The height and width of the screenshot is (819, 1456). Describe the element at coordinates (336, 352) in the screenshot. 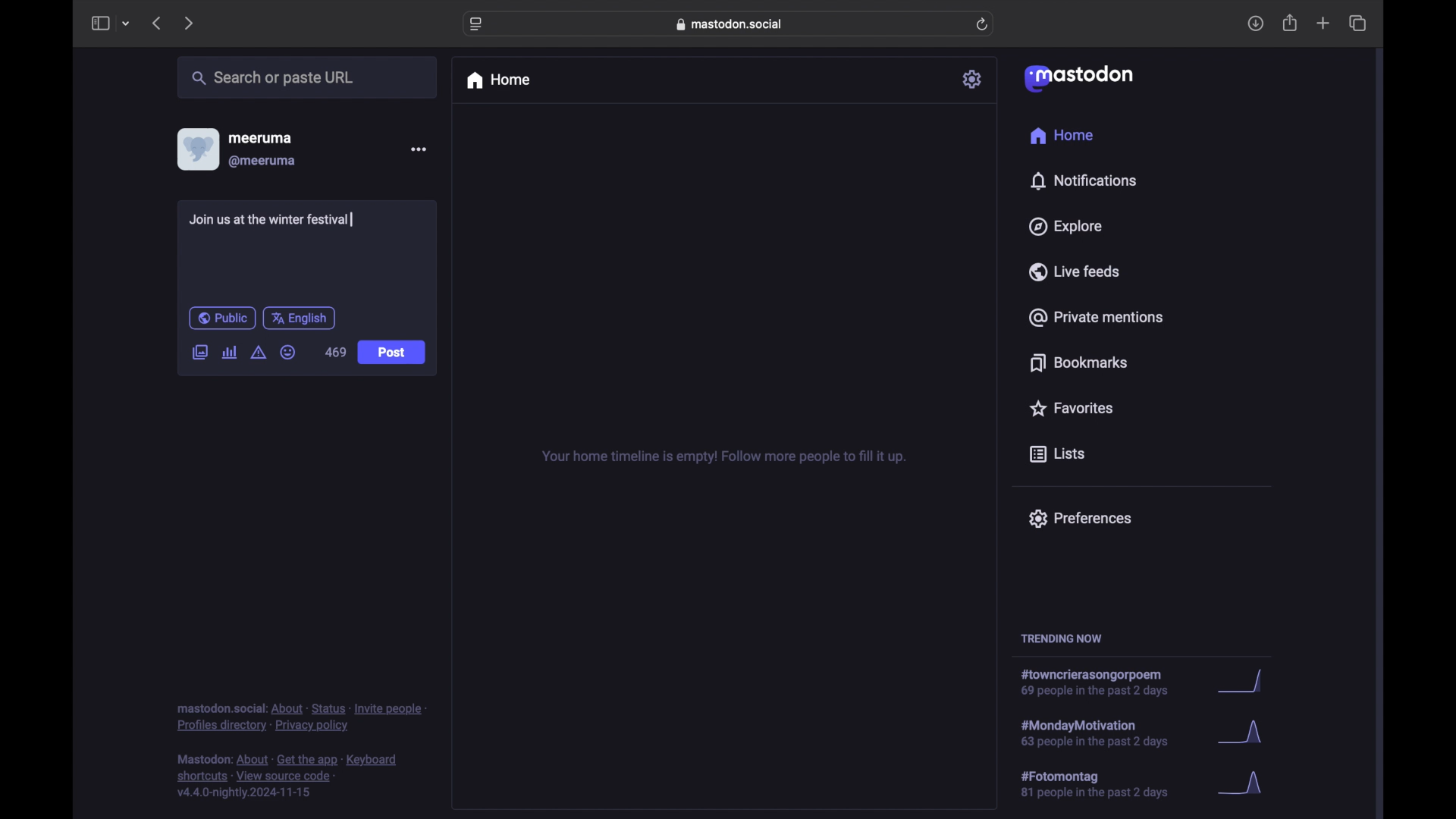

I see `469` at that location.